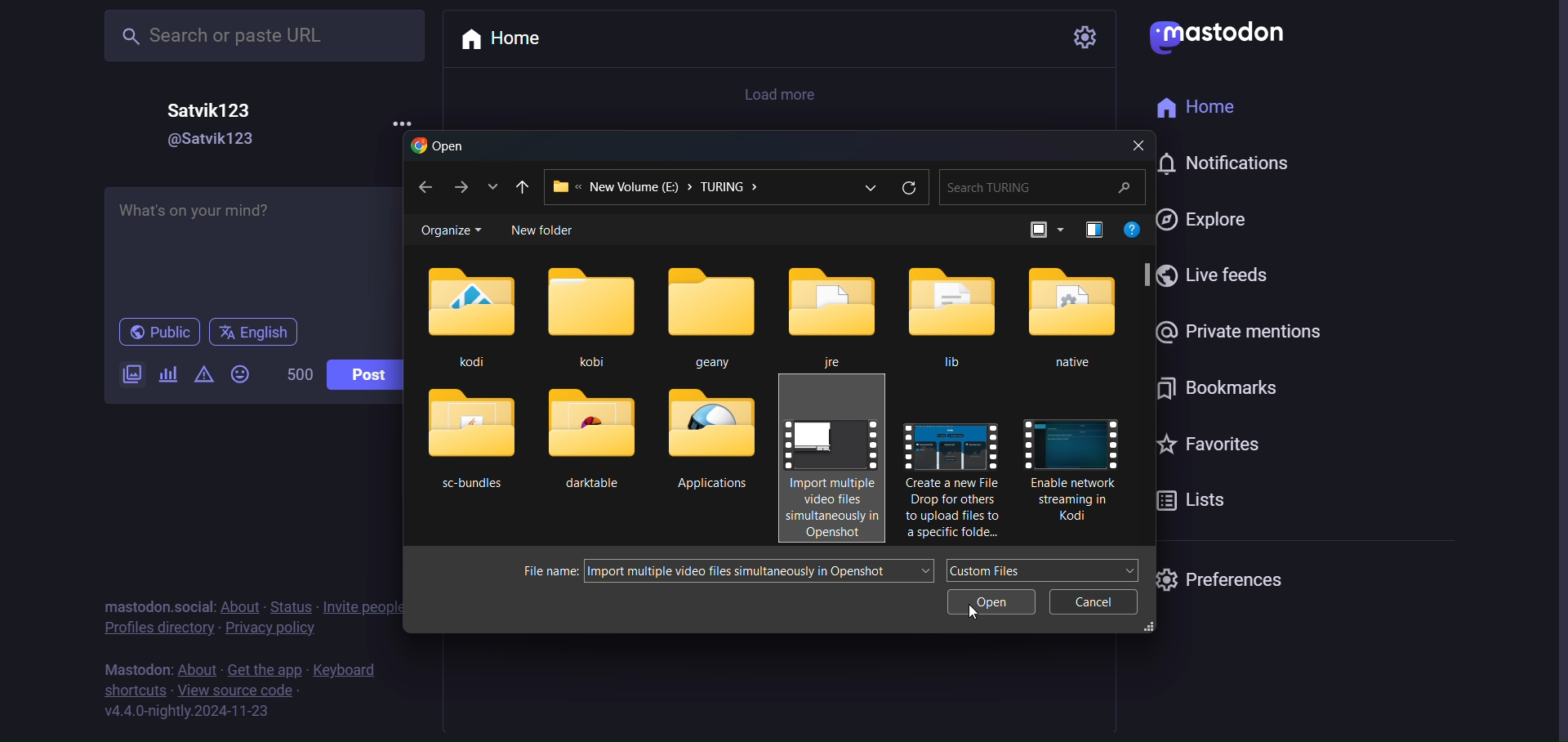 This screenshot has height=742, width=1568. What do you see at coordinates (239, 375) in the screenshot?
I see `emoji` at bounding box center [239, 375].